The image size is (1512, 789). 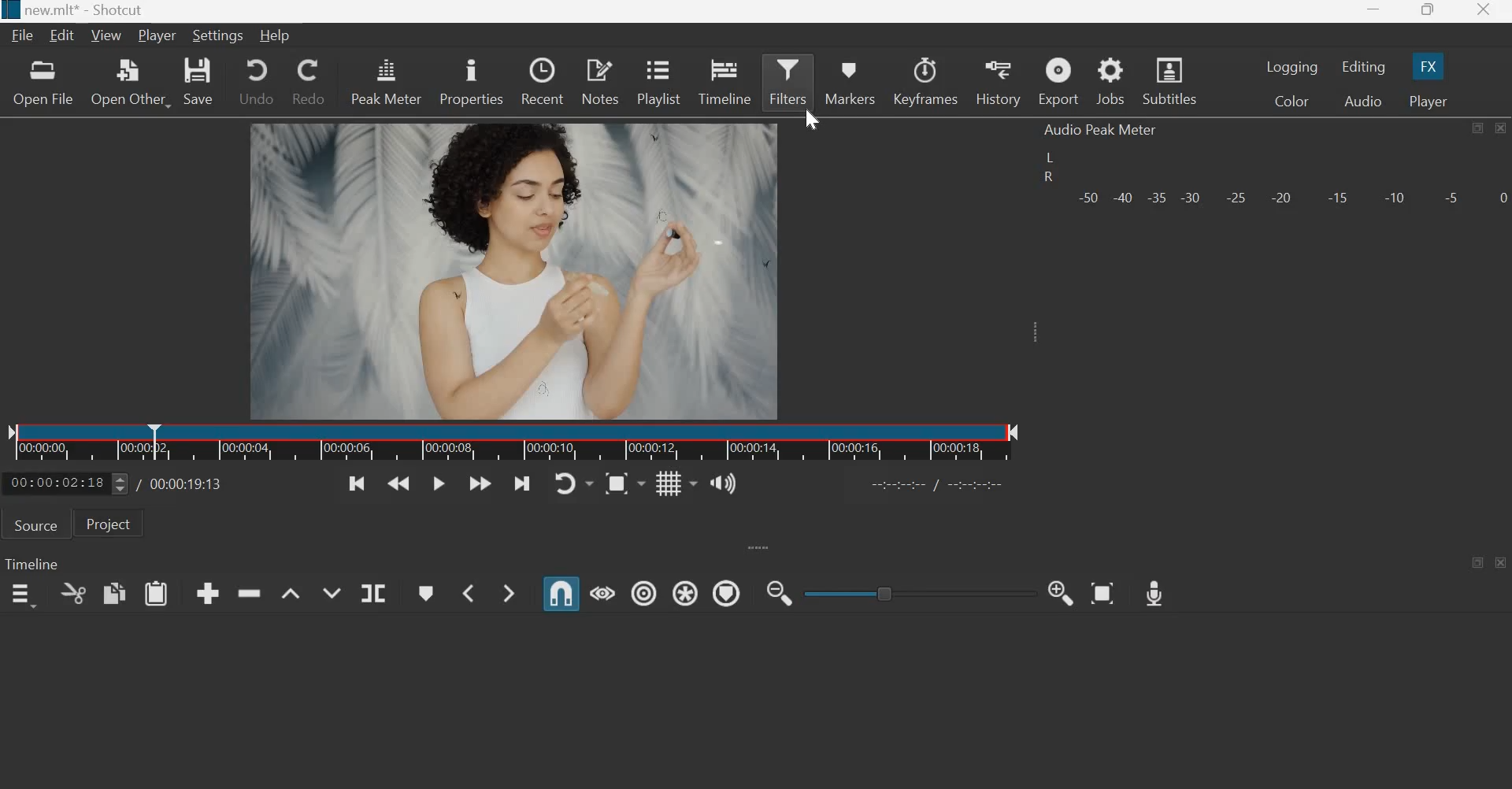 What do you see at coordinates (220, 35) in the screenshot?
I see `Settings` at bounding box center [220, 35].